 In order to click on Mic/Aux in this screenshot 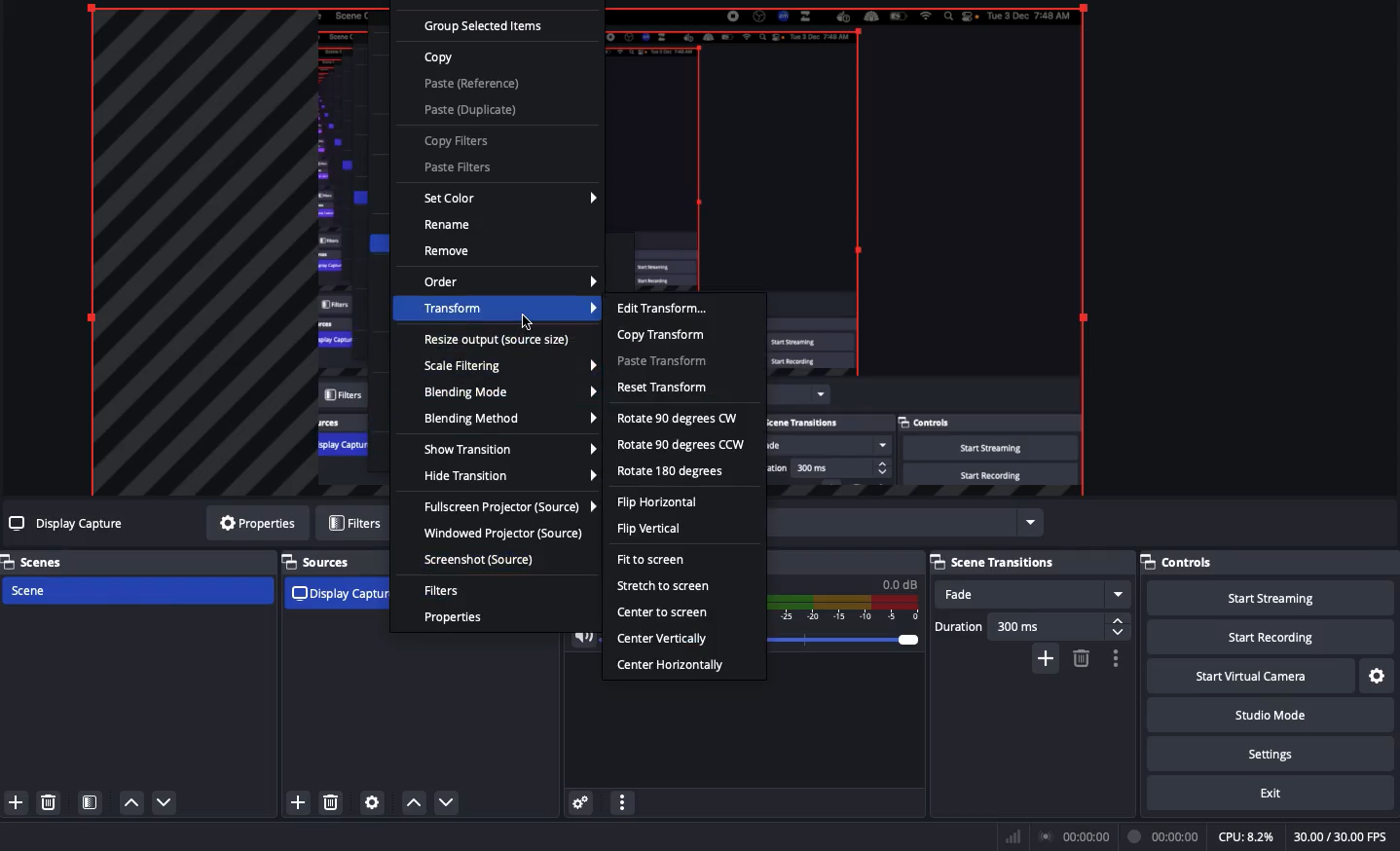, I will do `click(845, 598)`.